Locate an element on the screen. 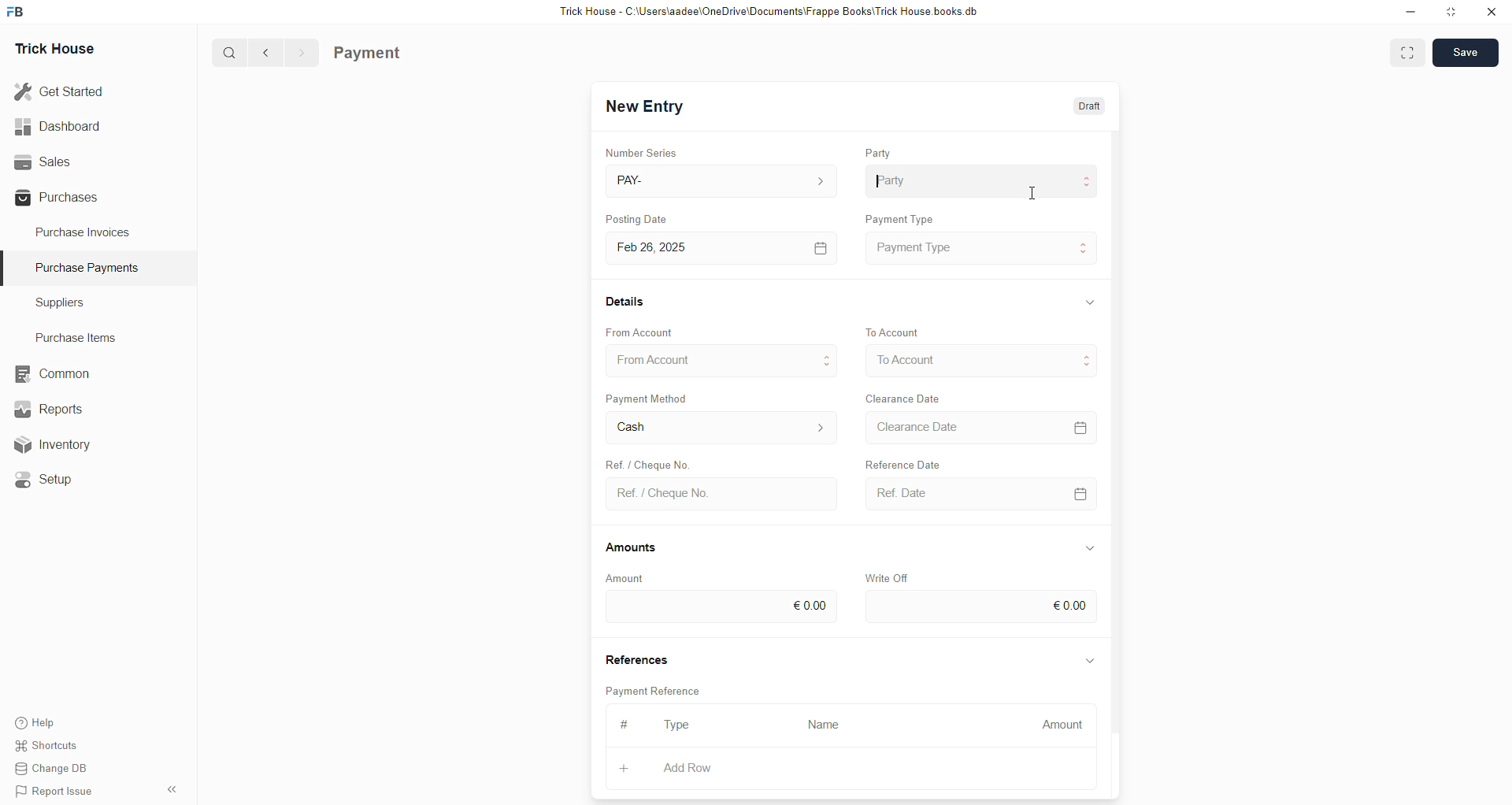 This screenshot has width=1512, height=805. Posting Date is located at coordinates (648, 217).